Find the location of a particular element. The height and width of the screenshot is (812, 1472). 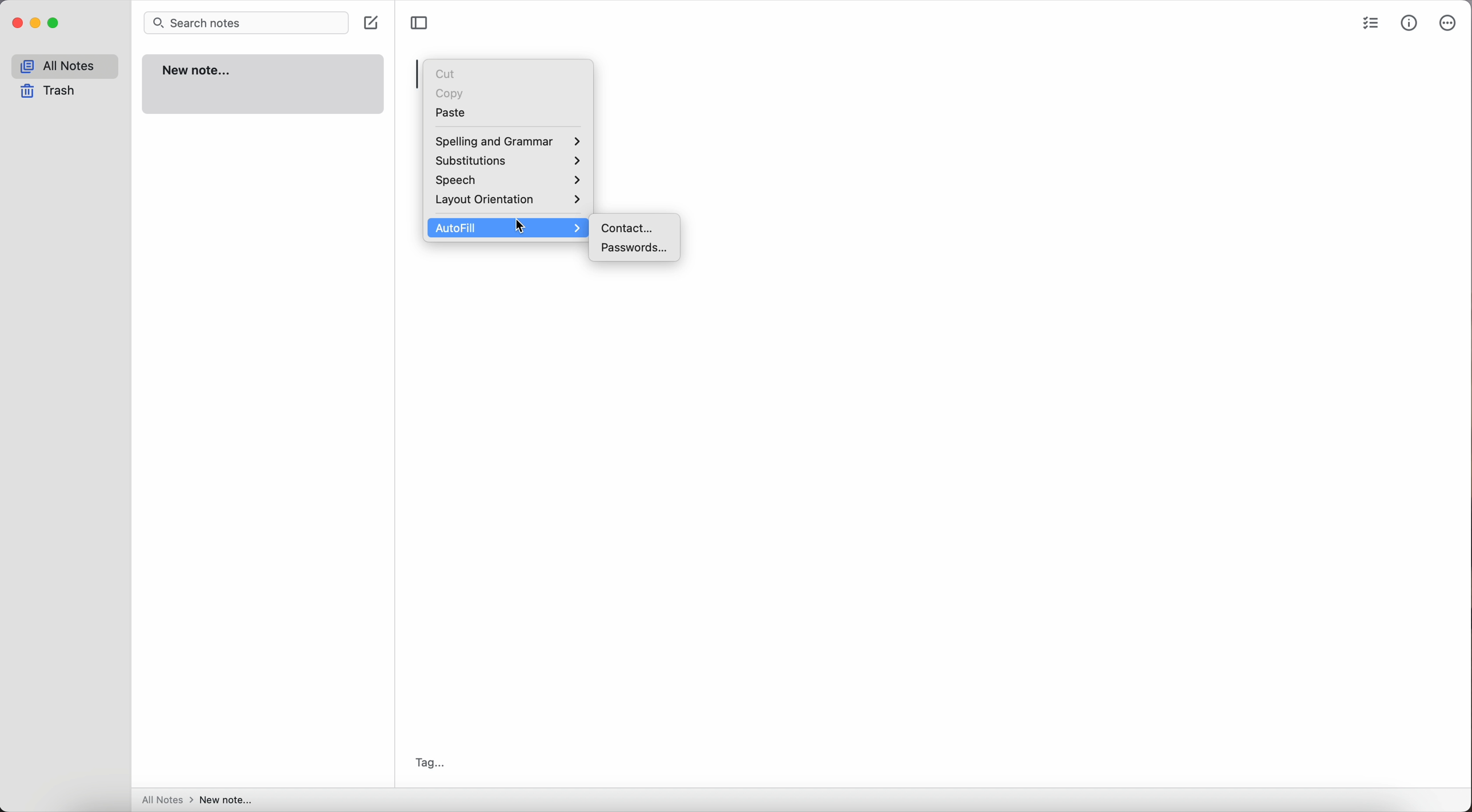

metrics is located at coordinates (1410, 23).